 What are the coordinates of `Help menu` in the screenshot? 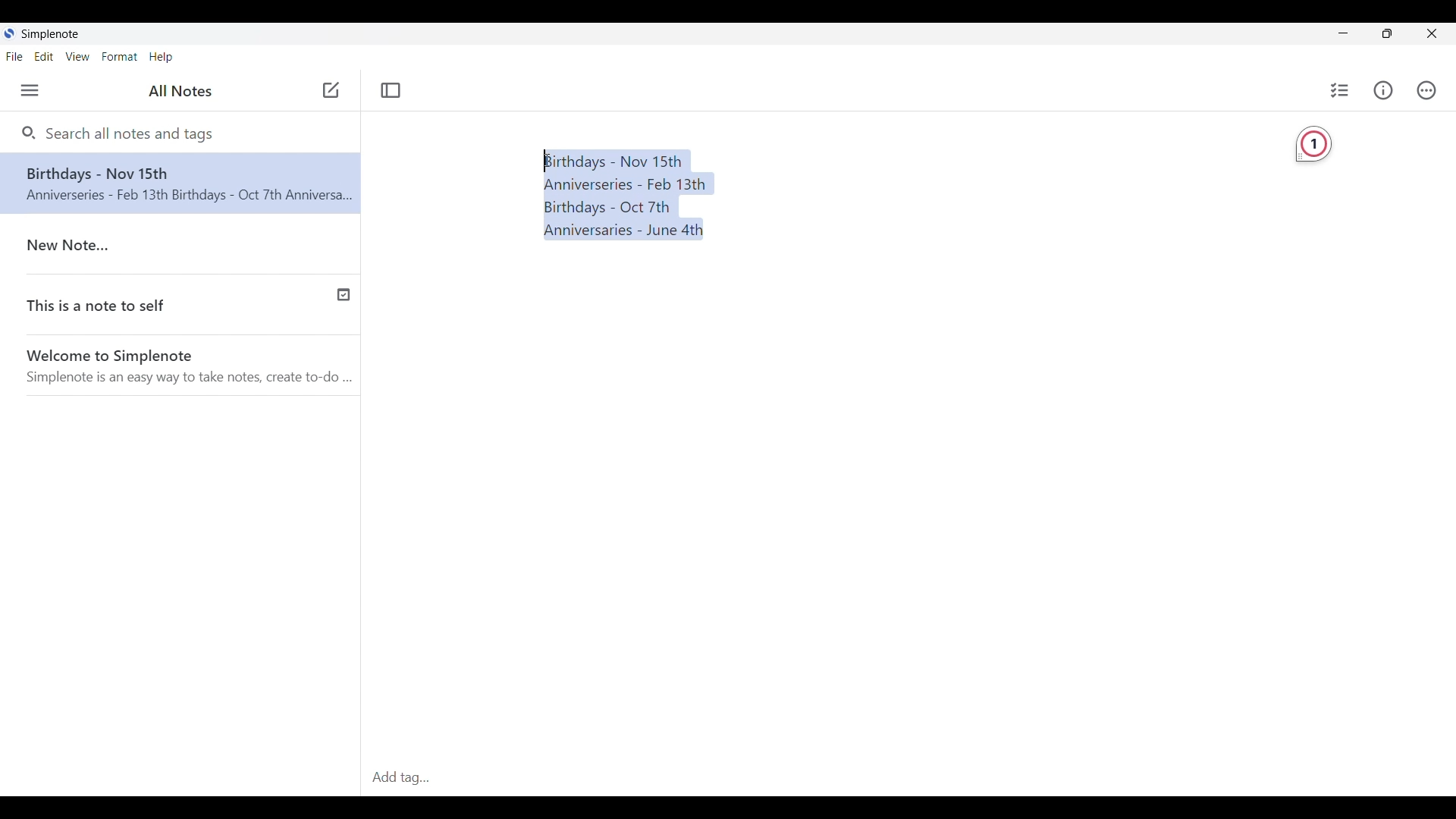 It's located at (161, 58).